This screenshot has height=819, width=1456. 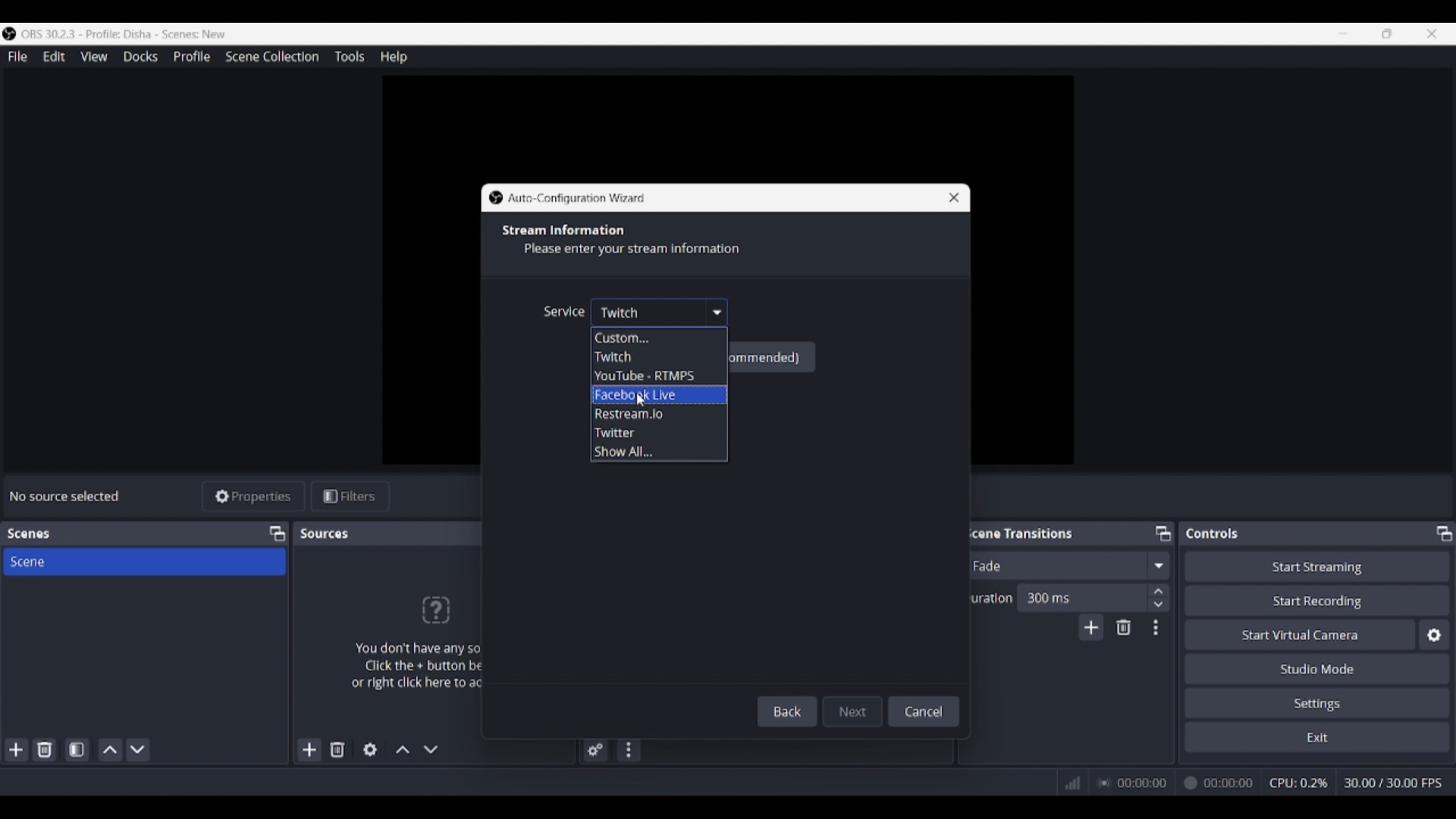 What do you see at coordinates (1434, 635) in the screenshot?
I see `Configure virtual camera` at bounding box center [1434, 635].